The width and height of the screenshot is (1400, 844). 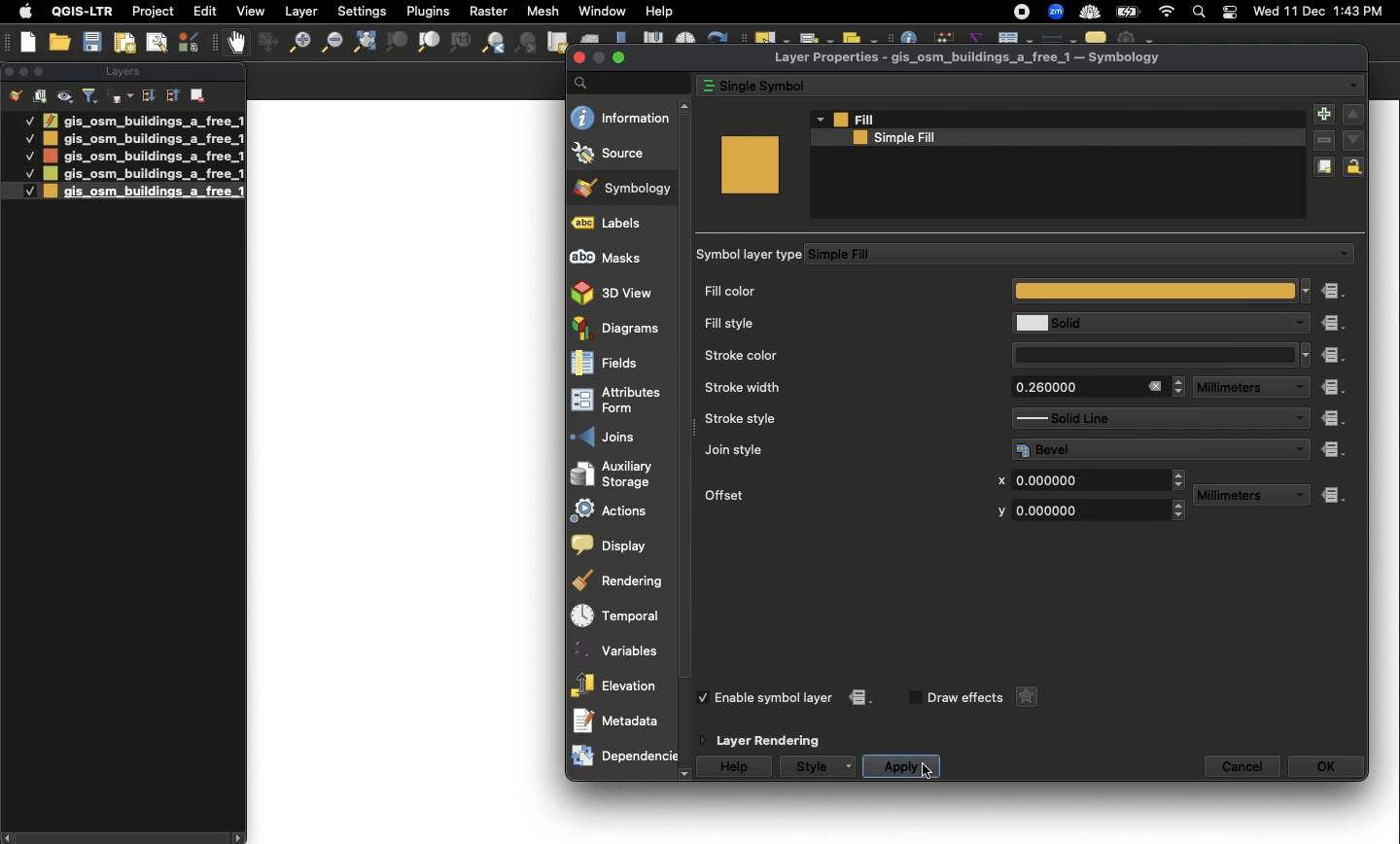 I want to click on maximize, so click(x=619, y=56).